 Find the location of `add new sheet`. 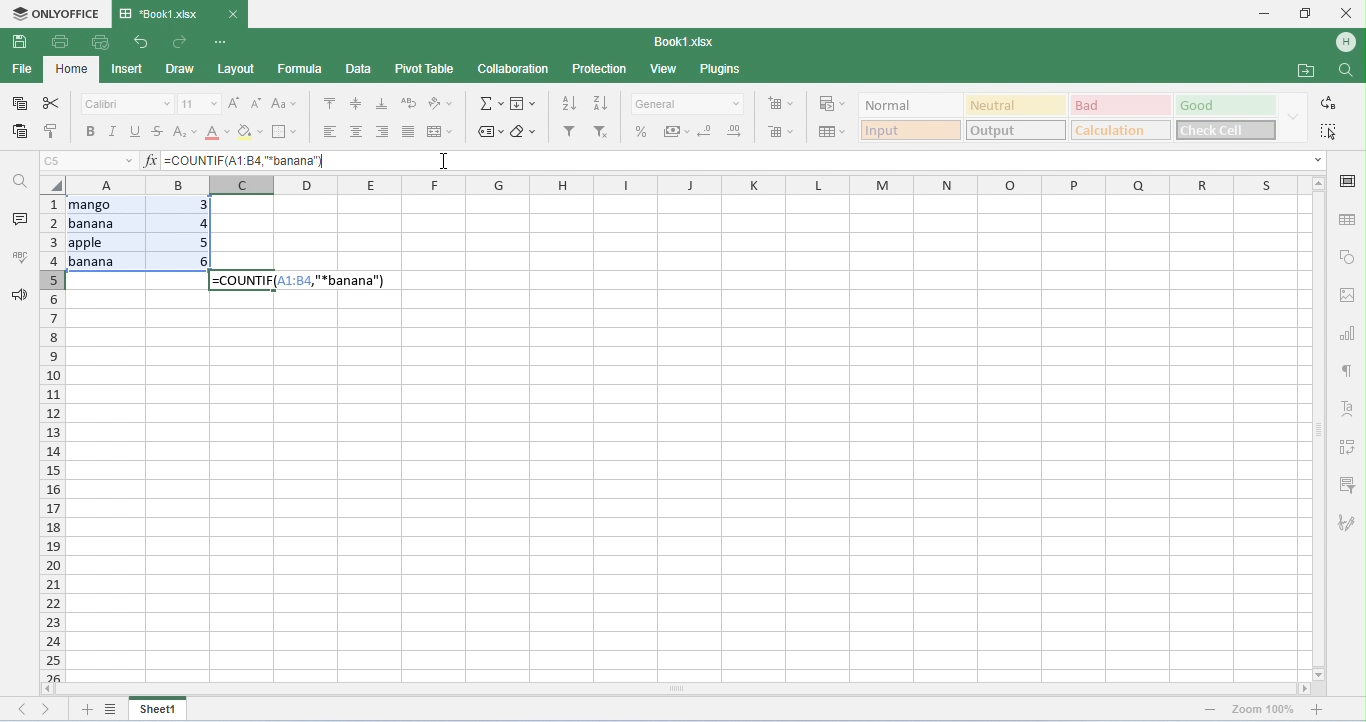

add new sheet is located at coordinates (85, 709).